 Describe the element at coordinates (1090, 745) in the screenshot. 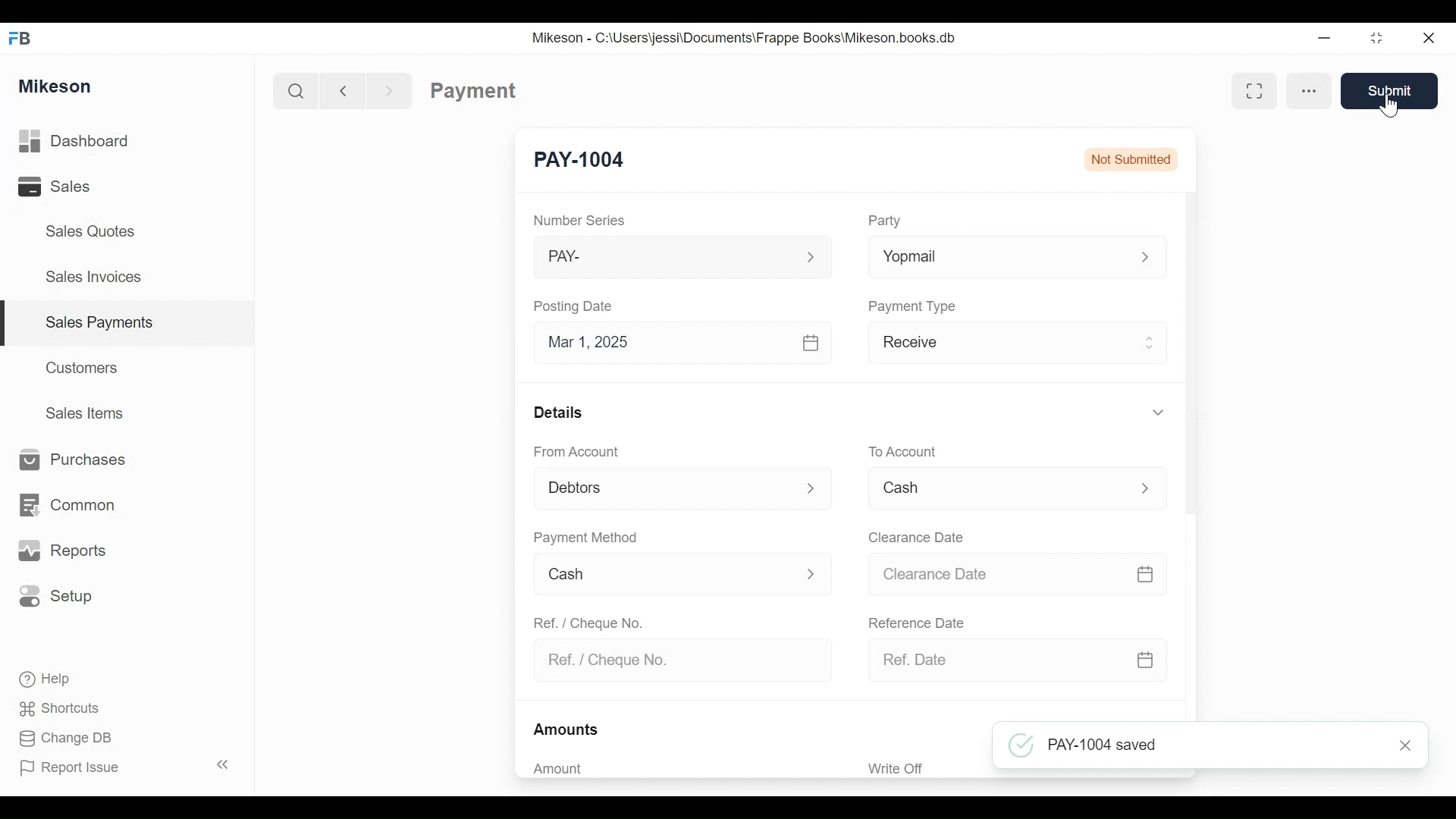

I see `PAY-1004 saved` at that location.